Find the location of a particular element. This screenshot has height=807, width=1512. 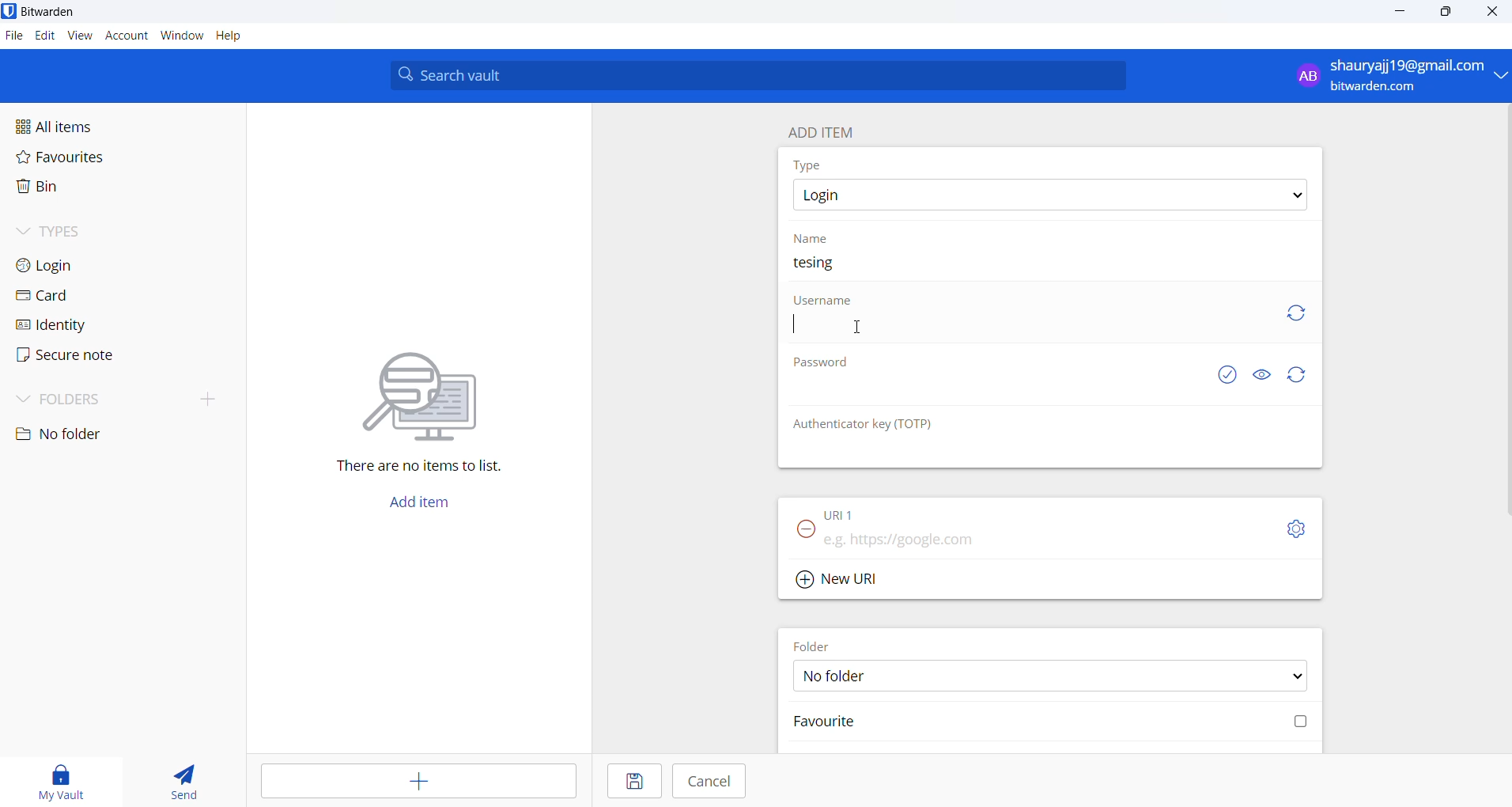

save is located at coordinates (633, 781).